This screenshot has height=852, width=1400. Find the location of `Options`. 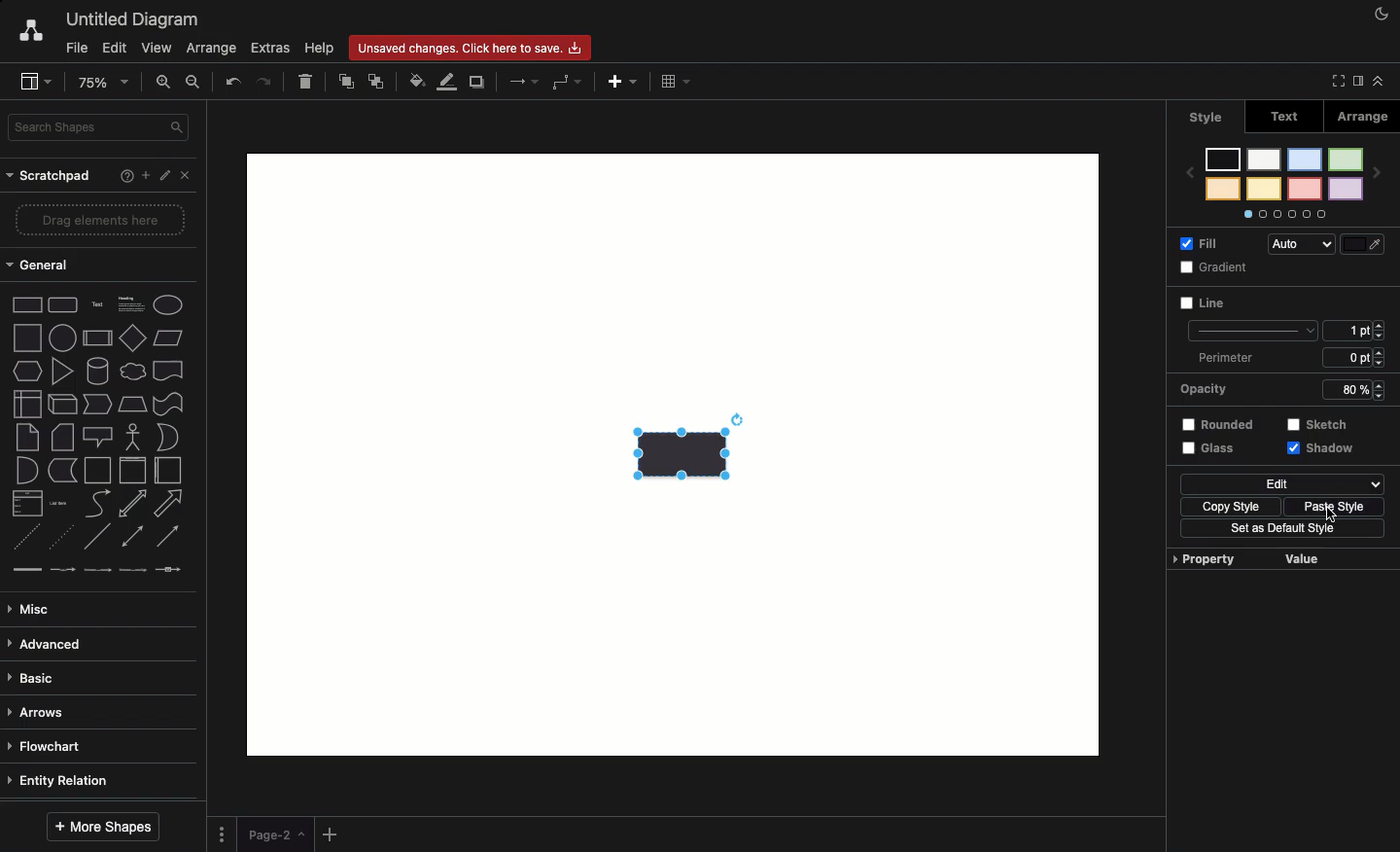

Options is located at coordinates (1284, 214).